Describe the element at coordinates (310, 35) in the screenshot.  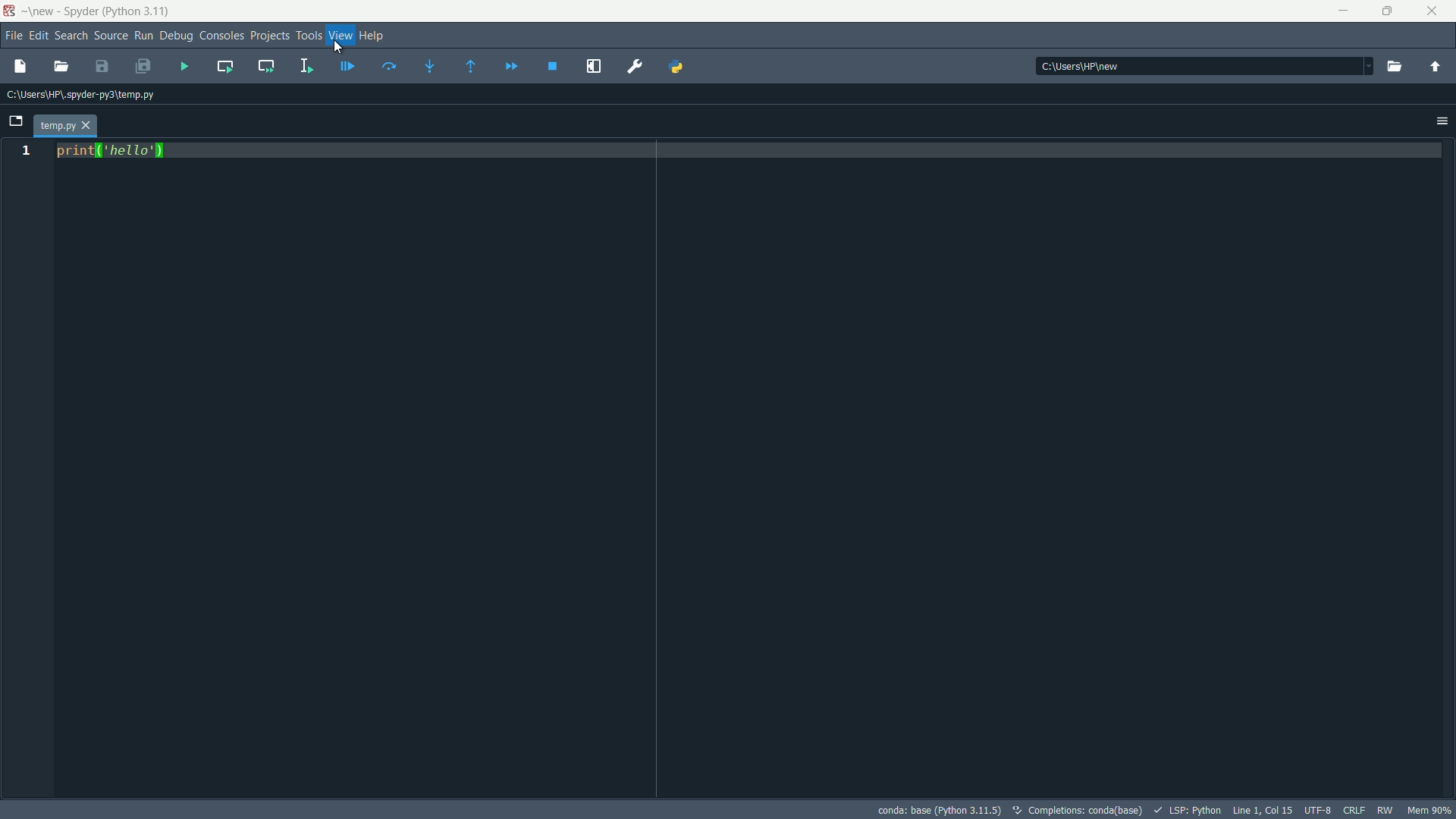
I see `tools menu` at that location.